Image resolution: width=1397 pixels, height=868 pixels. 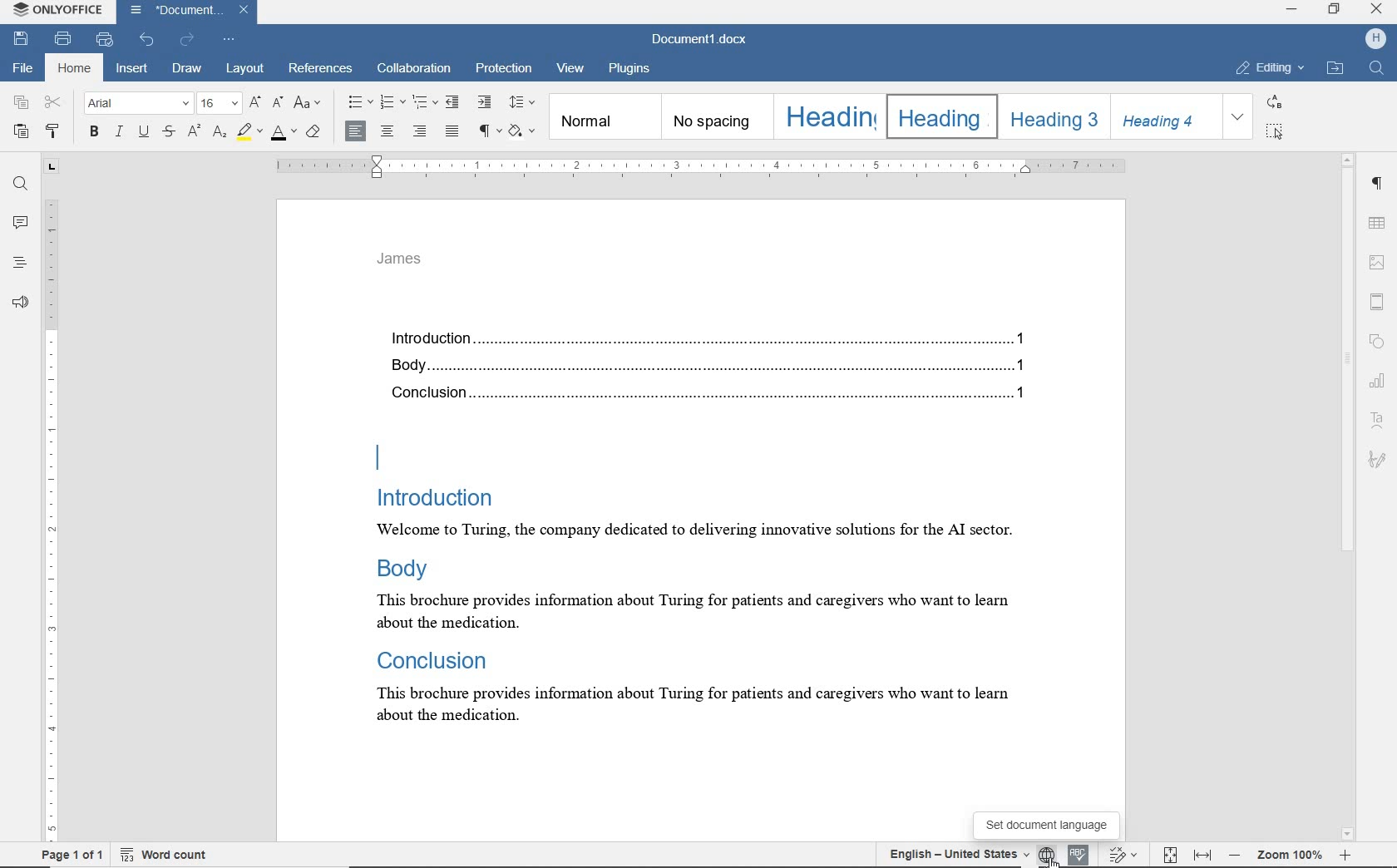 What do you see at coordinates (105, 40) in the screenshot?
I see `quick print` at bounding box center [105, 40].